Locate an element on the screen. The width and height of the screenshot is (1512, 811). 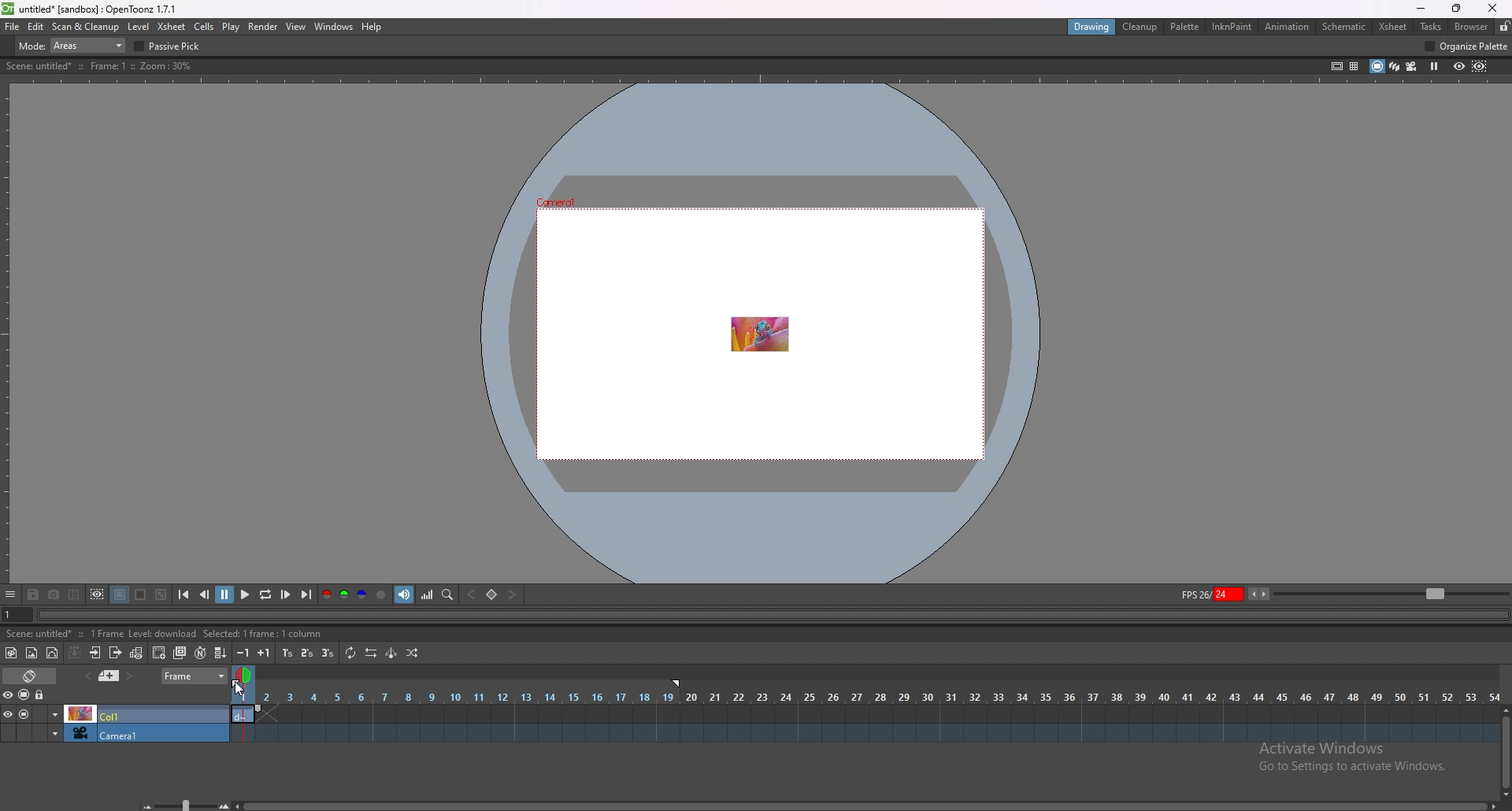
windows is located at coordinates (334, 27).